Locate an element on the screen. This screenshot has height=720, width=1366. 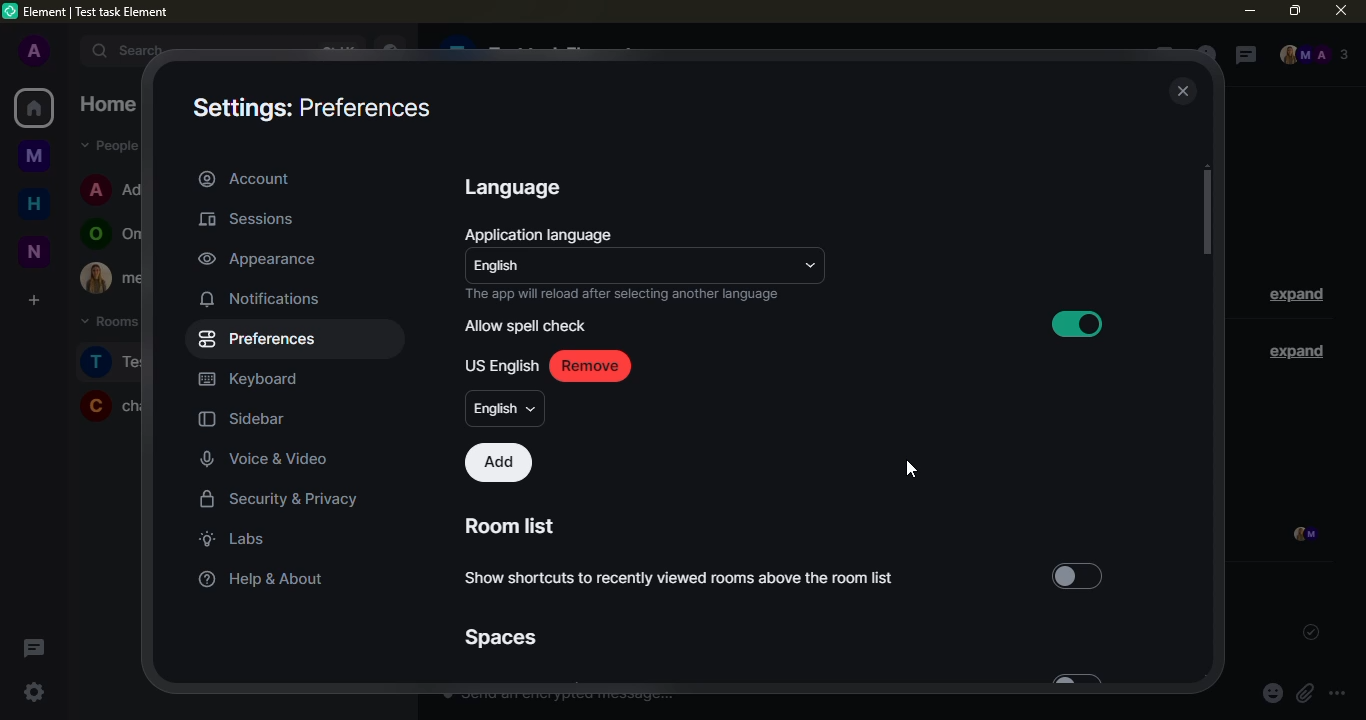
profile is located at coordinates (33, 52).